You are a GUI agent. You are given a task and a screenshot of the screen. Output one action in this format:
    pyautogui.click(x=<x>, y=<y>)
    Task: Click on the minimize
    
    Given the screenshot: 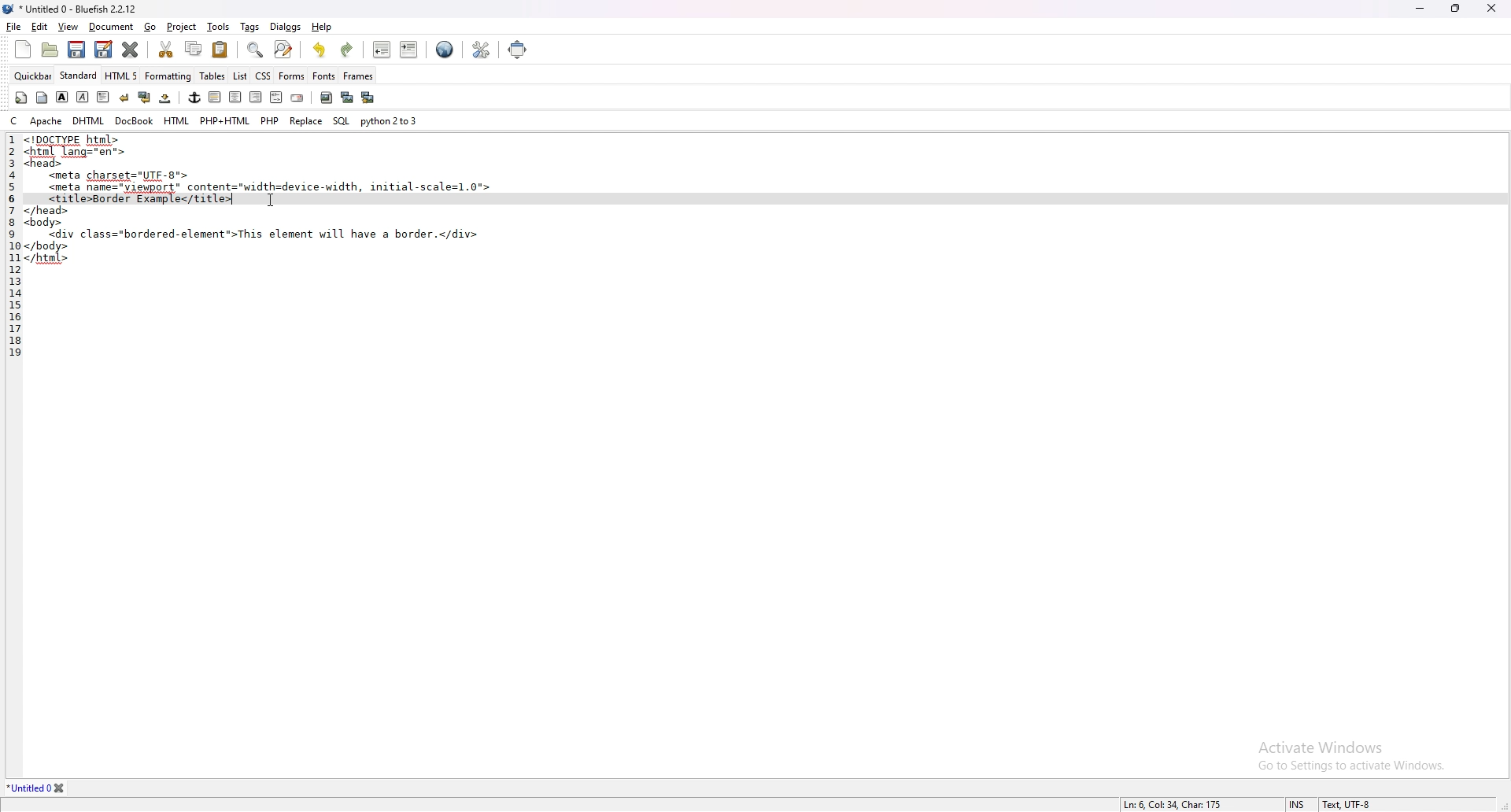 What is the action you would take?
    pyautogui.click(x=1422, y=8)
    